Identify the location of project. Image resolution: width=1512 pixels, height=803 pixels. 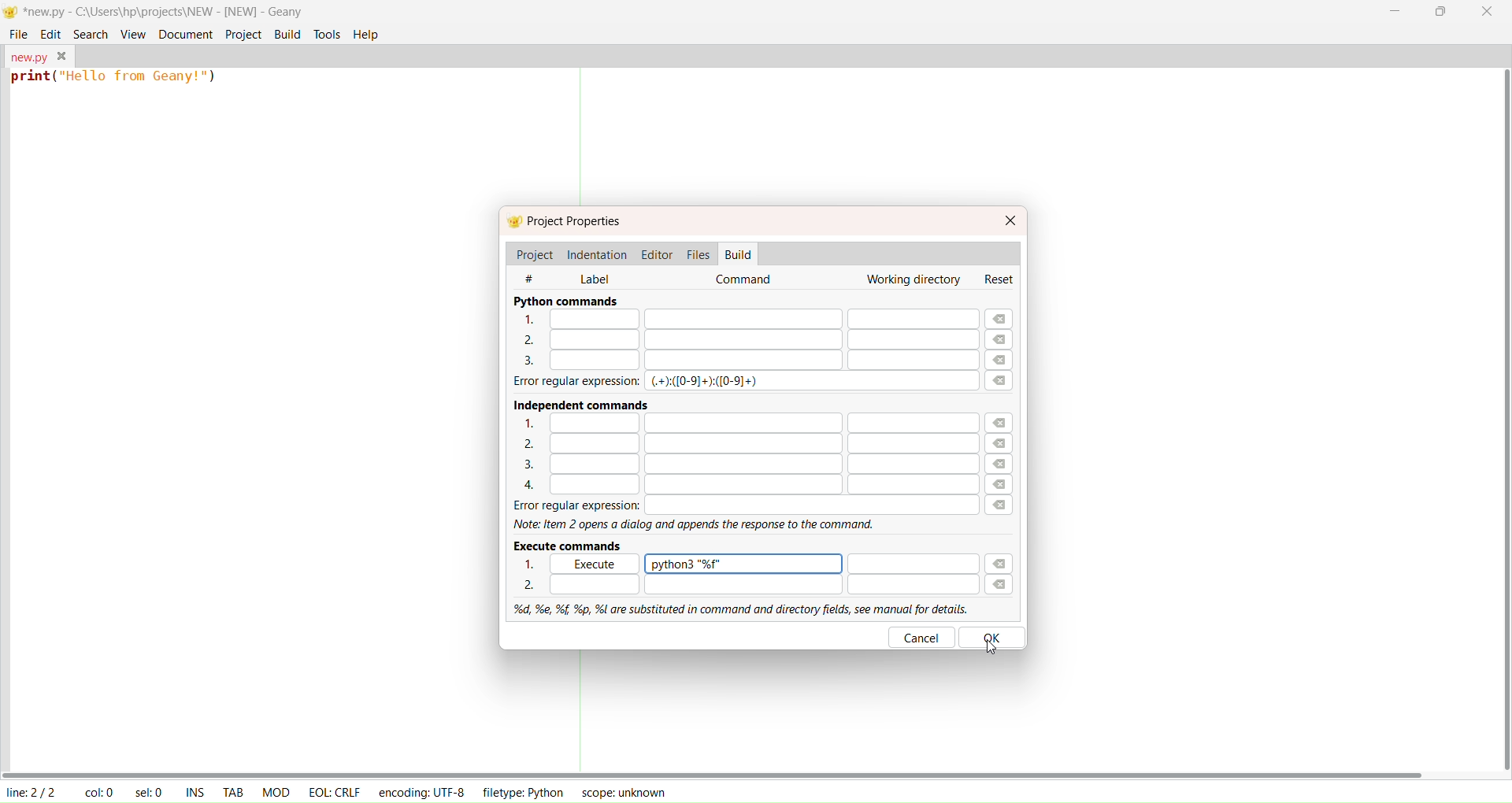
(534, 254).